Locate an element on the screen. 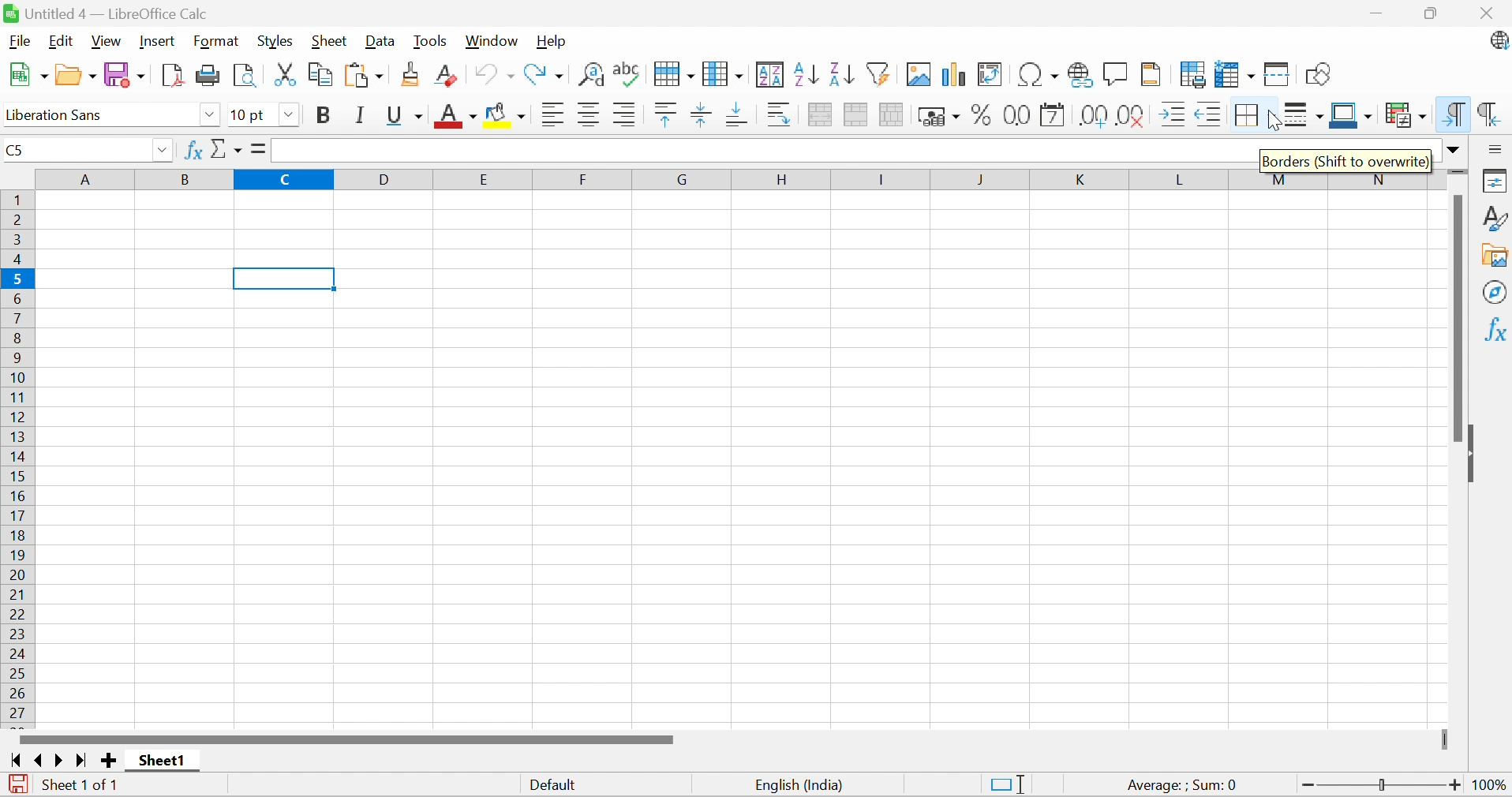  Border color is located at coordinates (1350, 116).